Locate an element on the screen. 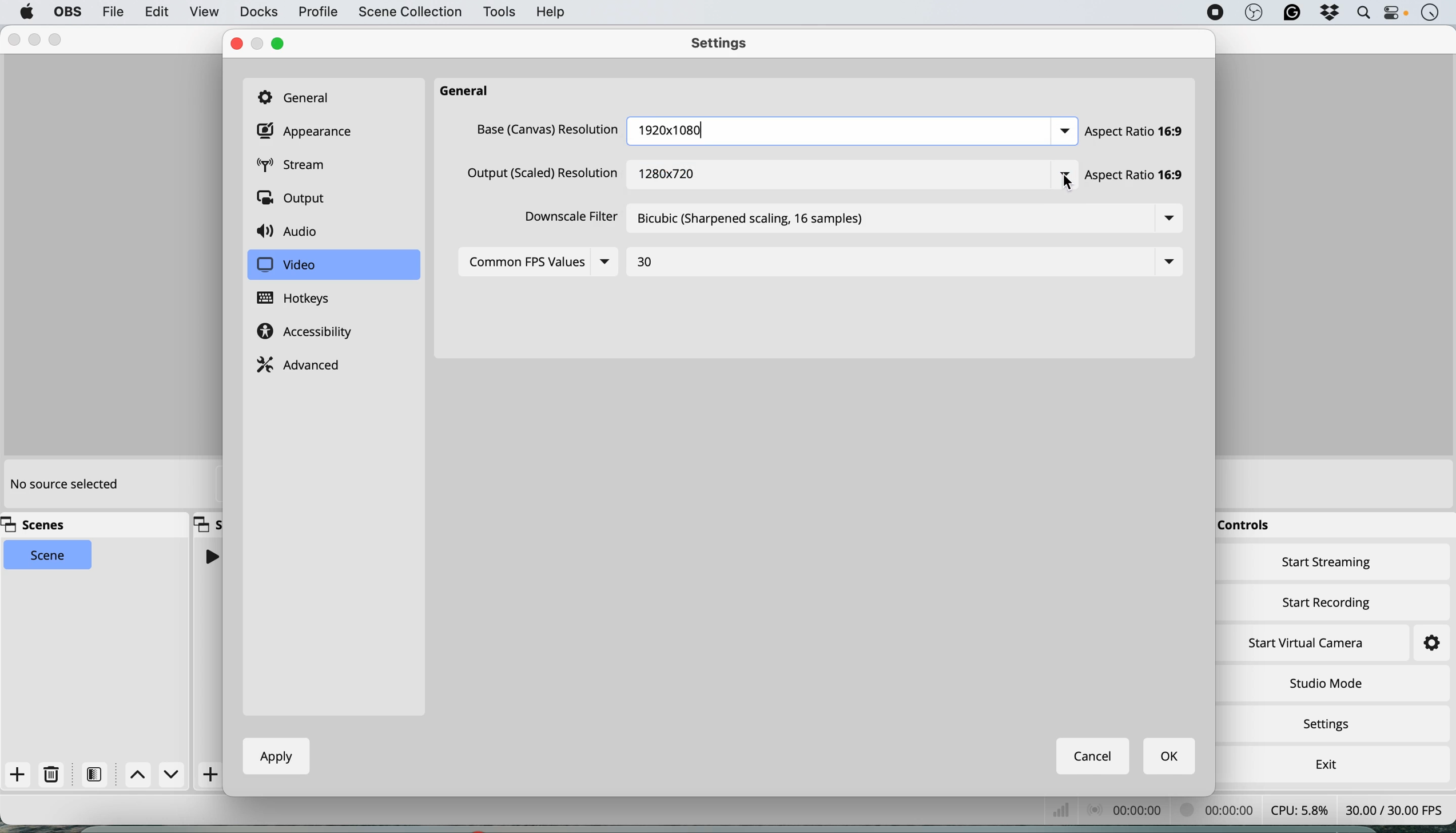  30 is located at coordinates (649, 263).